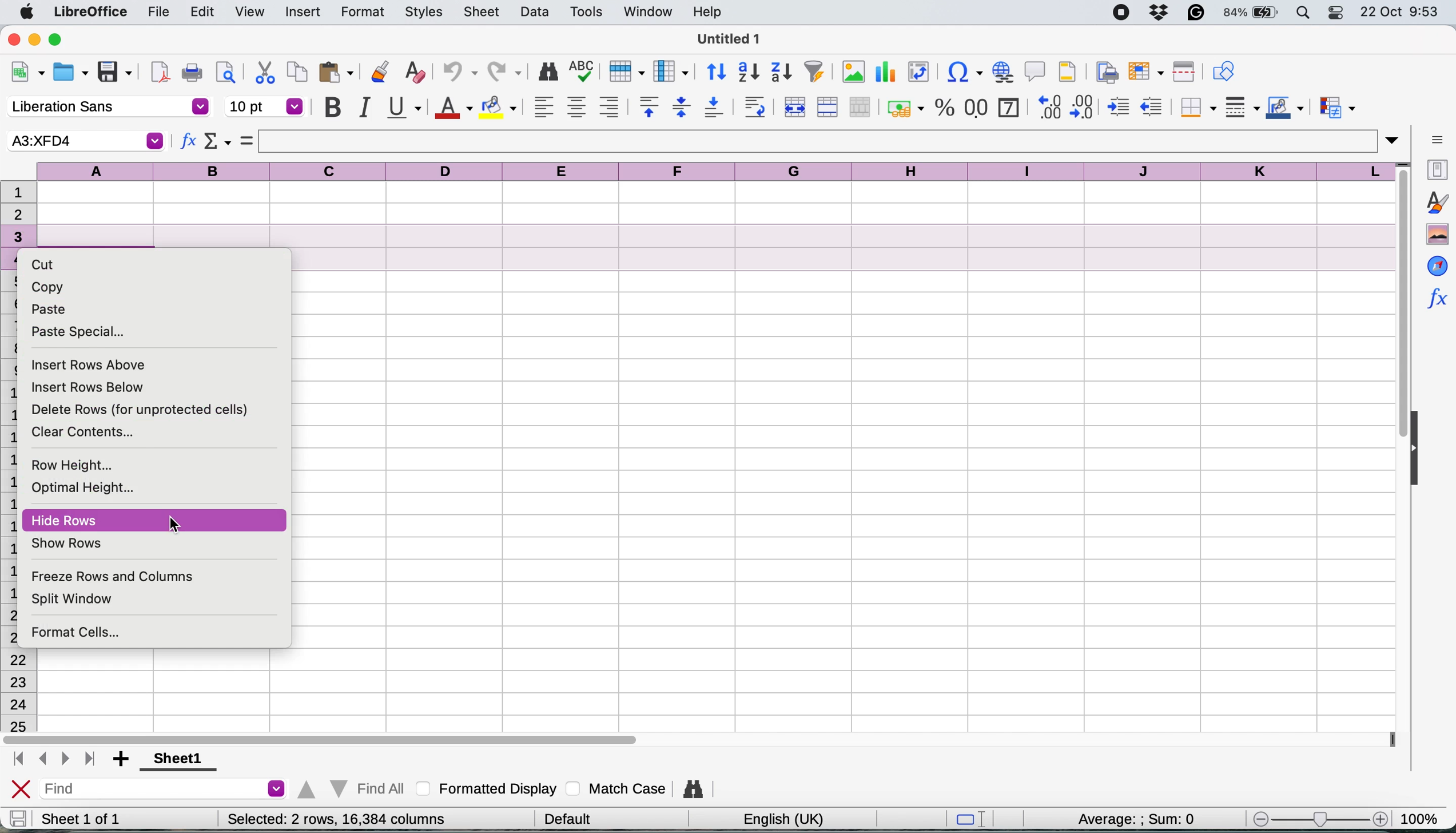 The image size is (1456, 833). I want to click on format as date, so click(1008, 106).